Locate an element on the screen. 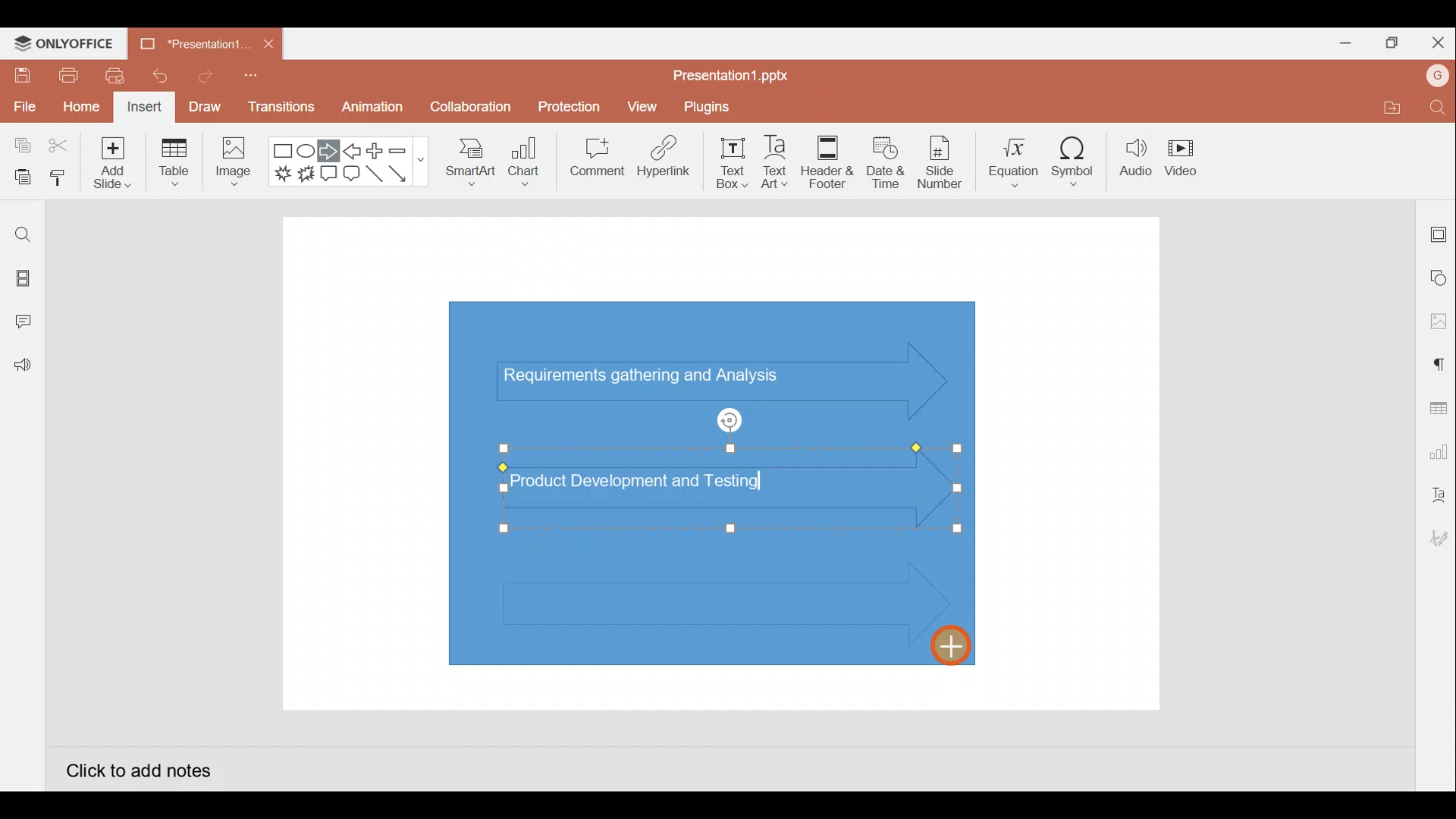  Rectangular callout is located at coordinates (329, 174).